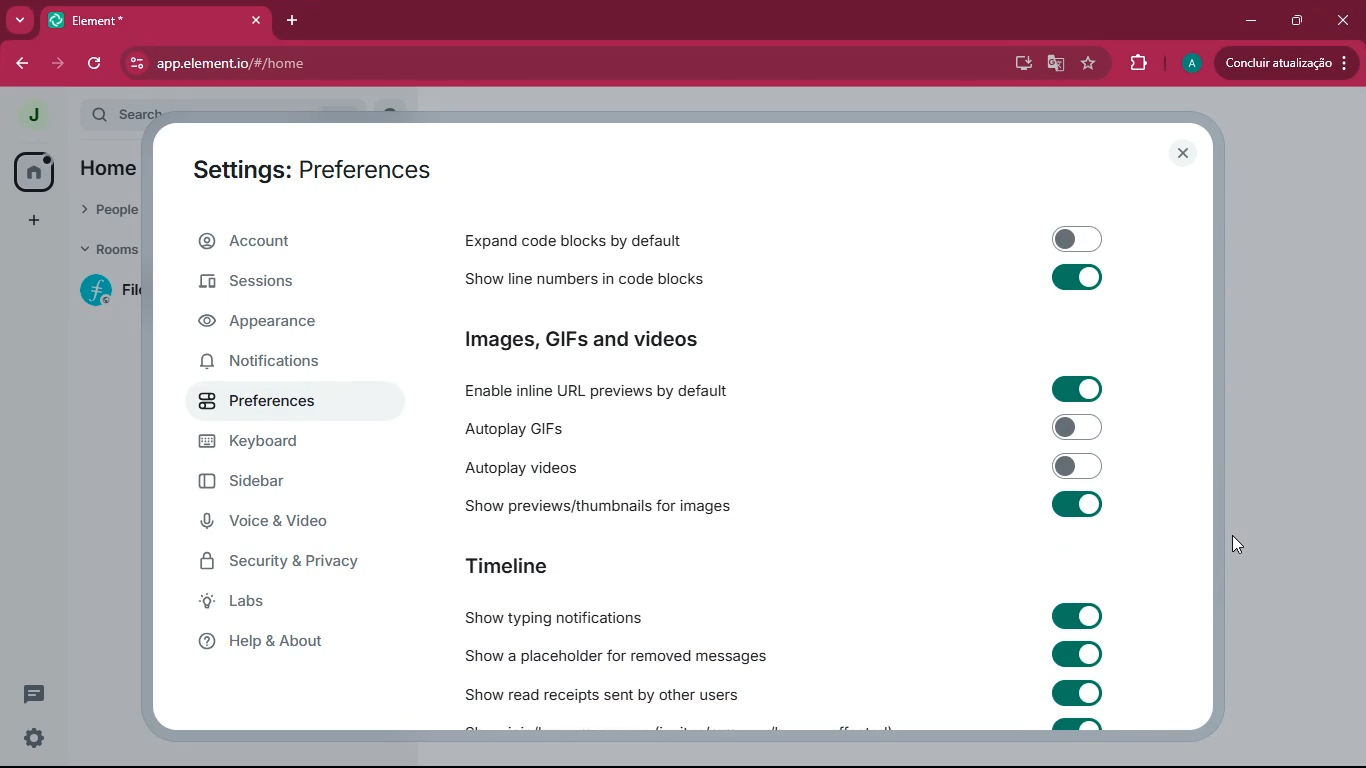 The width and height of the screenshot is (1366, 768). I want to click on toggle on/off, so click(1077, 504).